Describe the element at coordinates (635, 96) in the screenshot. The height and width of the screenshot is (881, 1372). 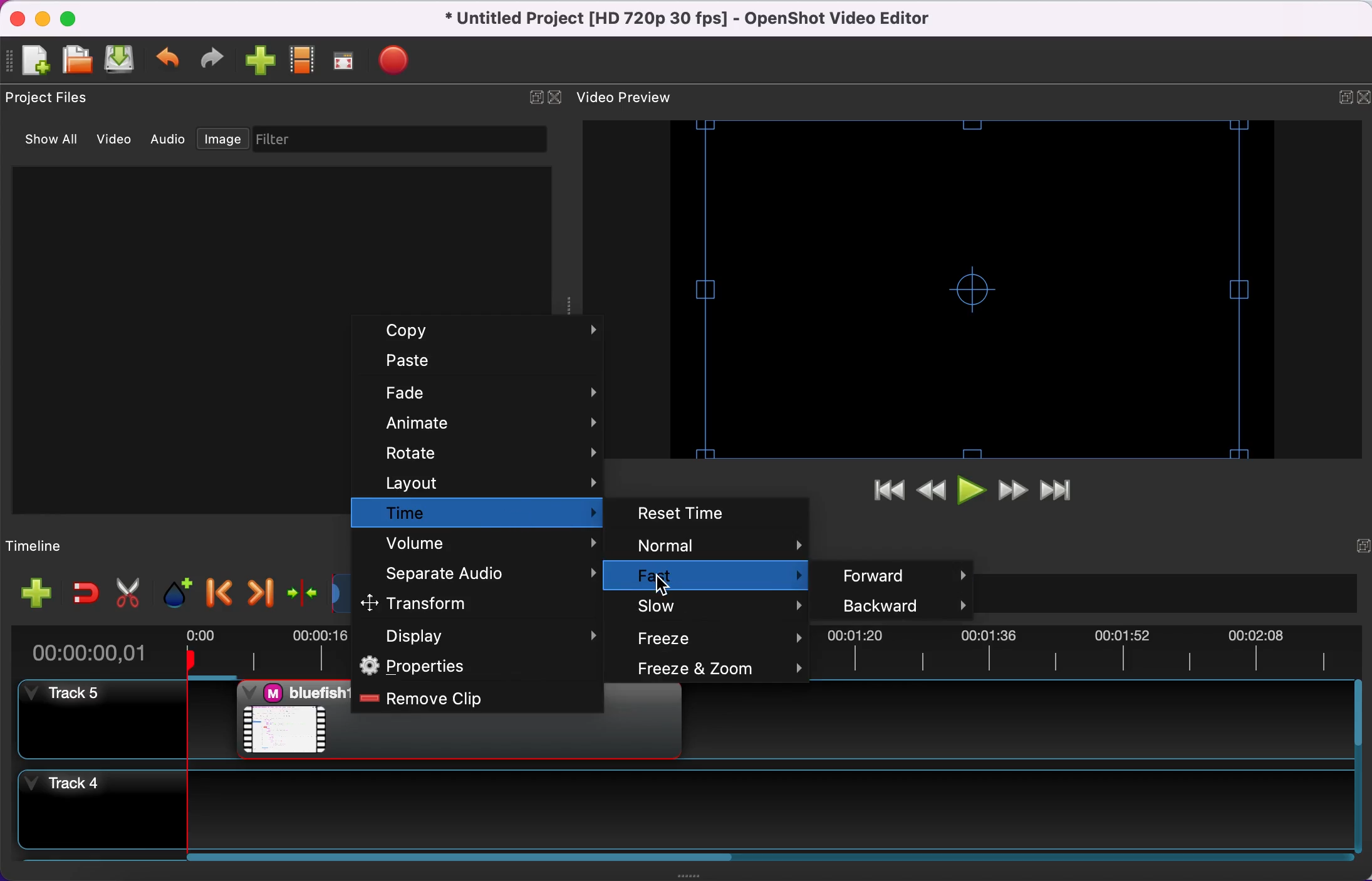
I see `video preview` at that location.